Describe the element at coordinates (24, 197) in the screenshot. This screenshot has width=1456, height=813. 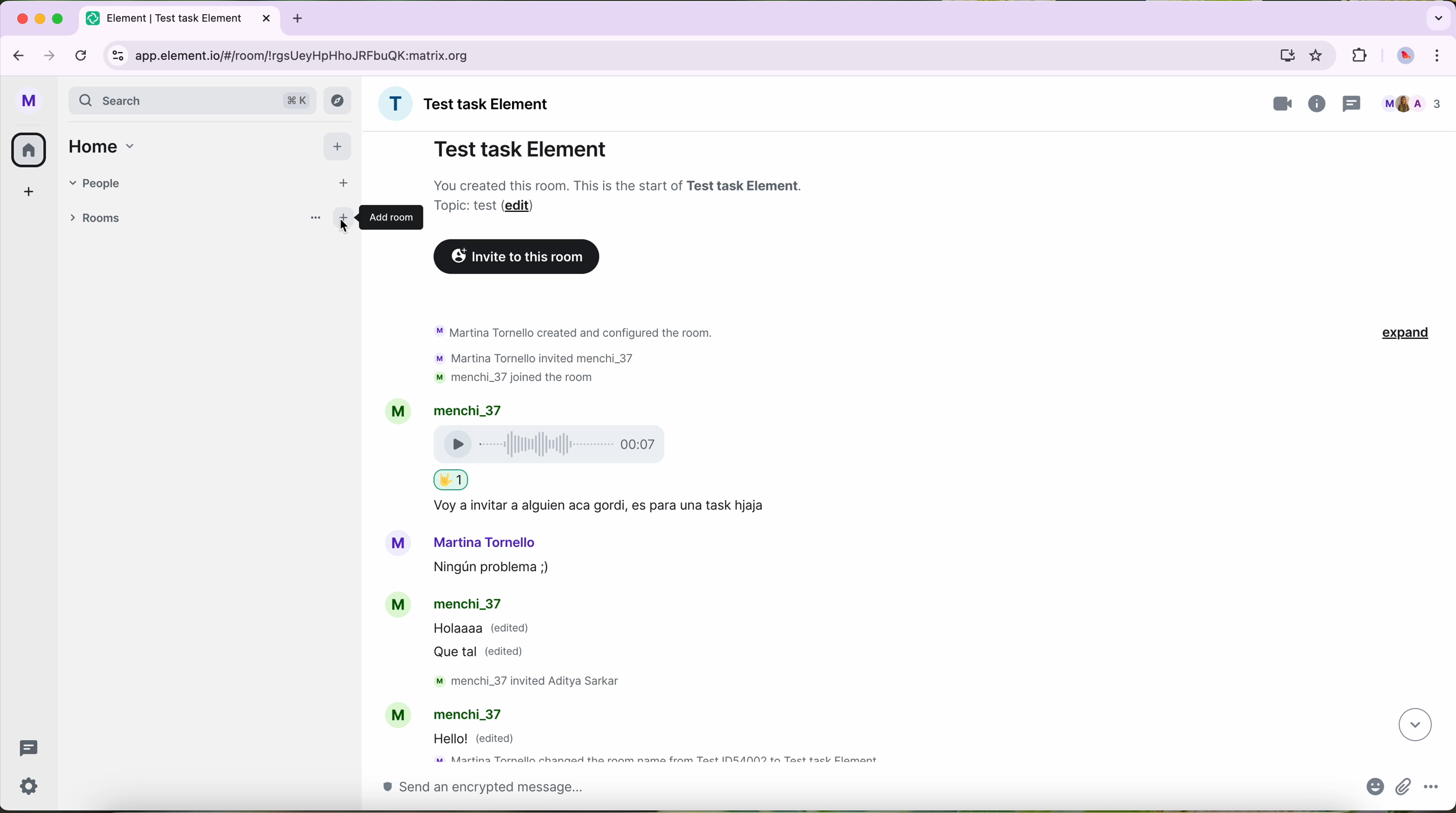
I see `add` at that location.